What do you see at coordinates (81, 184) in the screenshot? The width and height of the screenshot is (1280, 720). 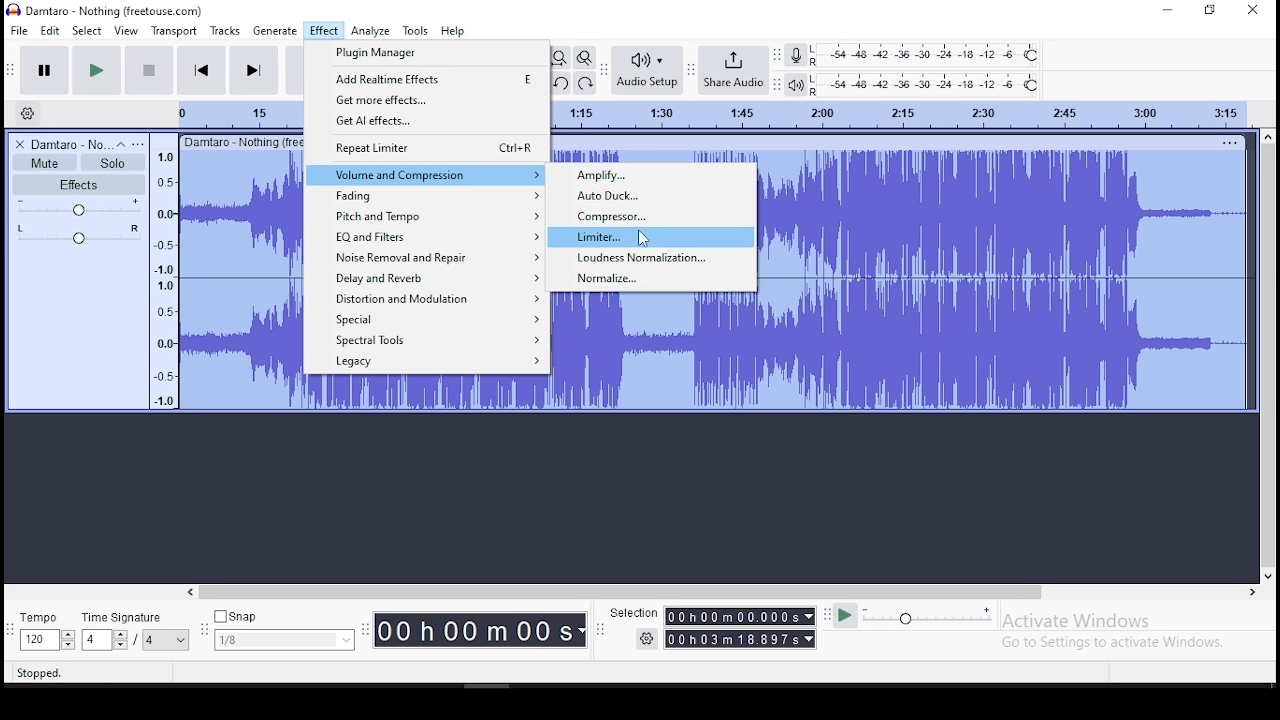 I see `effects` at bounding box center [81, 184].